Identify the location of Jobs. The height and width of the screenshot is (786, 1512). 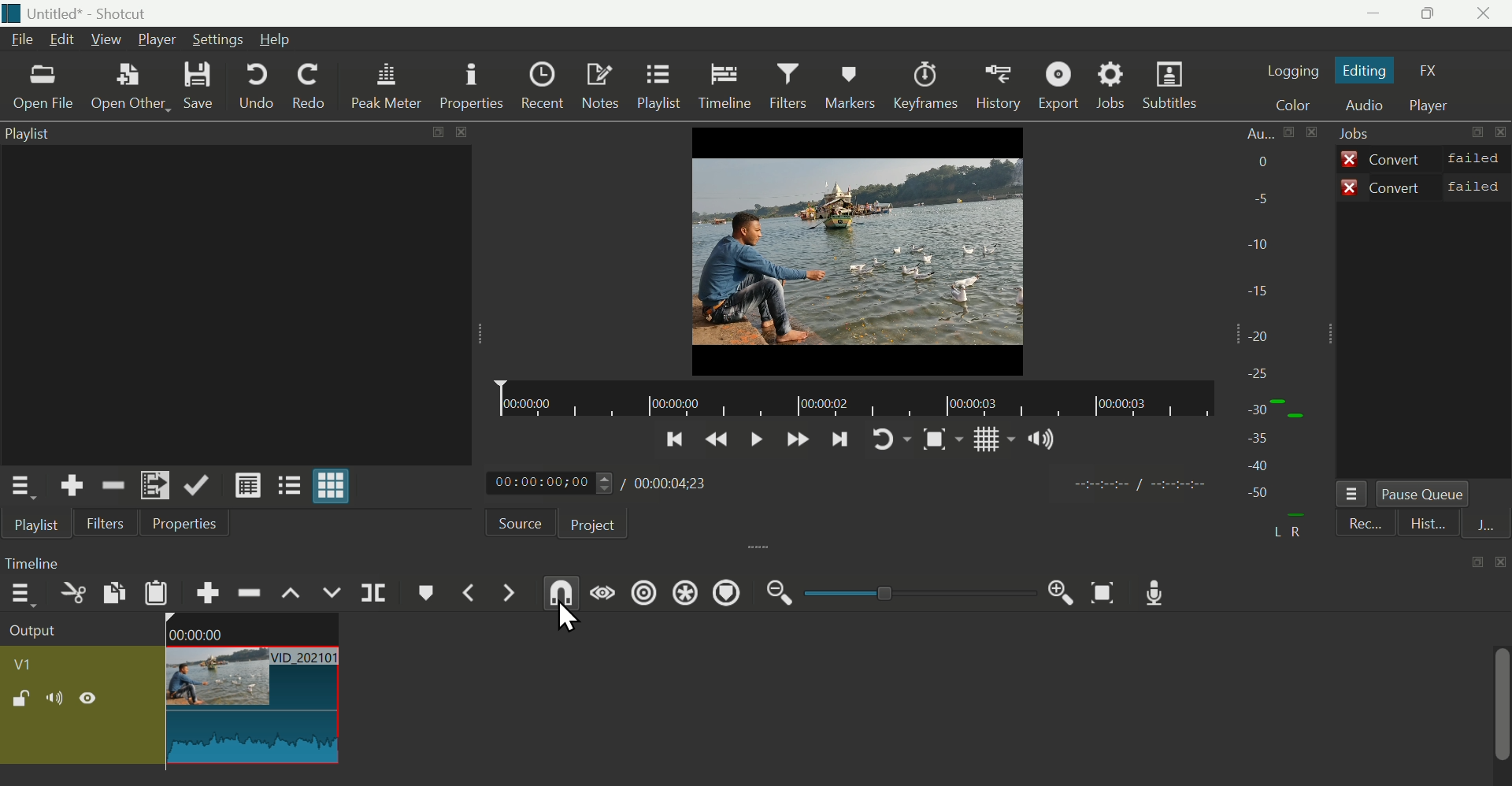
(1117, 85).